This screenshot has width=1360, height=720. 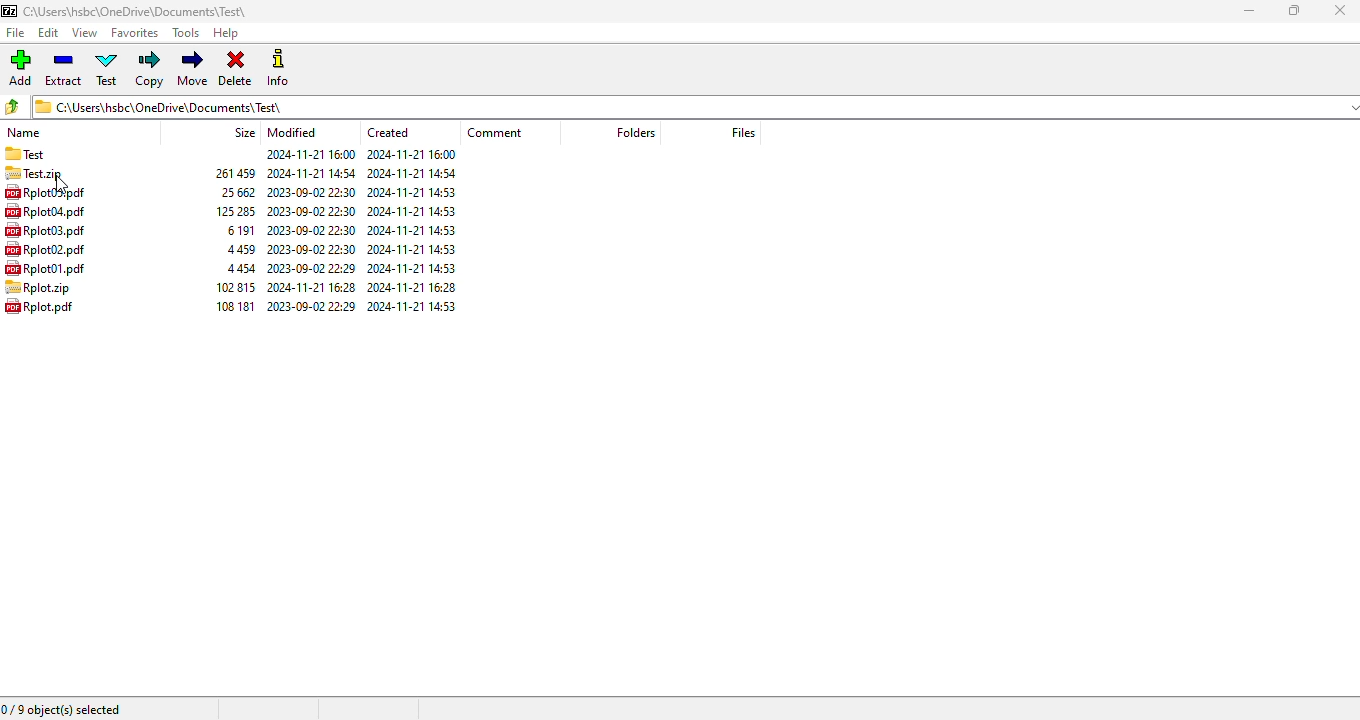 What do you see at coordinates (246, 132) in the screenshot?
I see `size` at bounding box center [246, 132].